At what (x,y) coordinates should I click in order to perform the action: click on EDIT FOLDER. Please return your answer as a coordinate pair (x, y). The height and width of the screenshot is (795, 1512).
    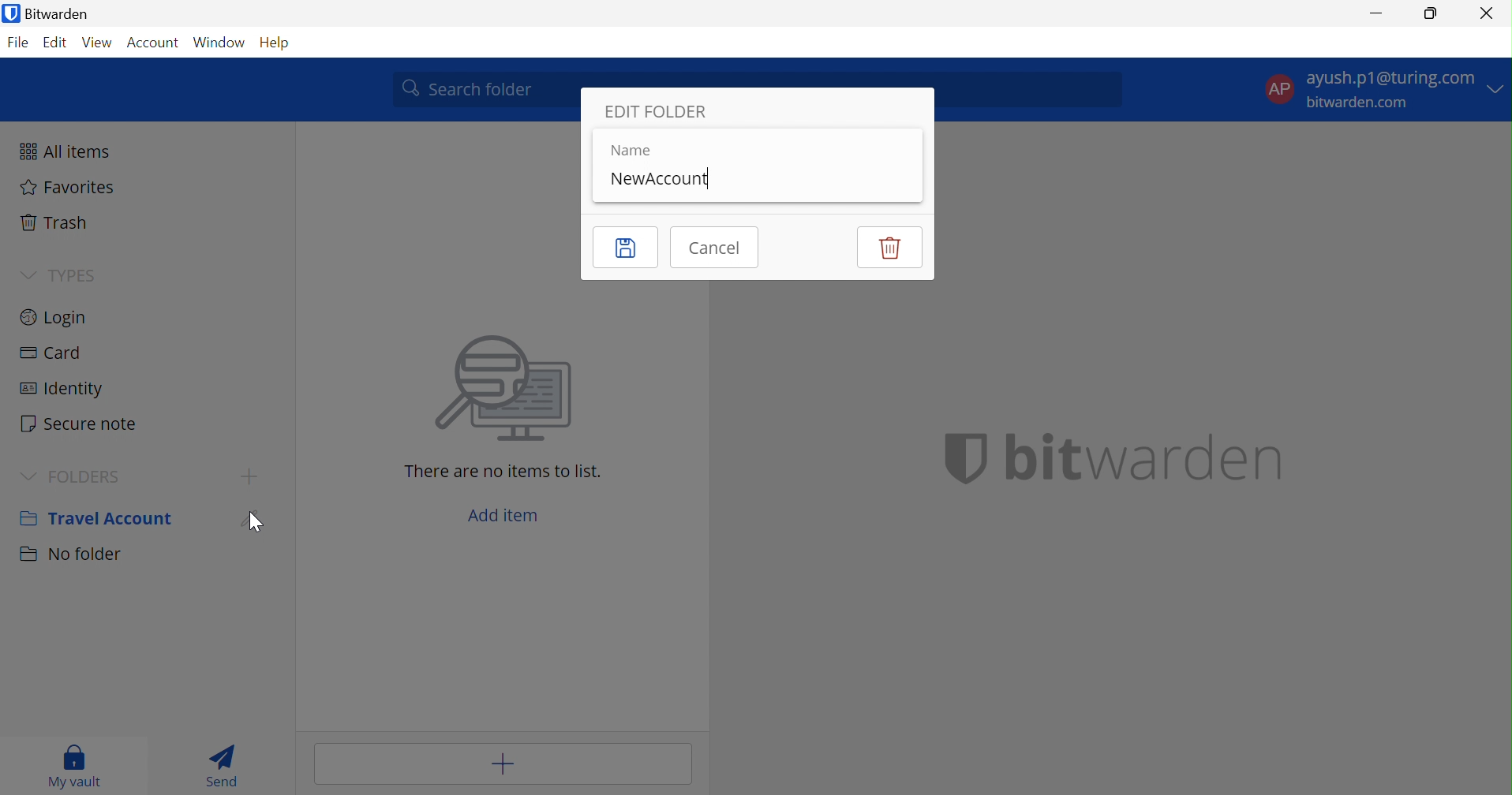
    Looking at the image, I should click on (657, 110).